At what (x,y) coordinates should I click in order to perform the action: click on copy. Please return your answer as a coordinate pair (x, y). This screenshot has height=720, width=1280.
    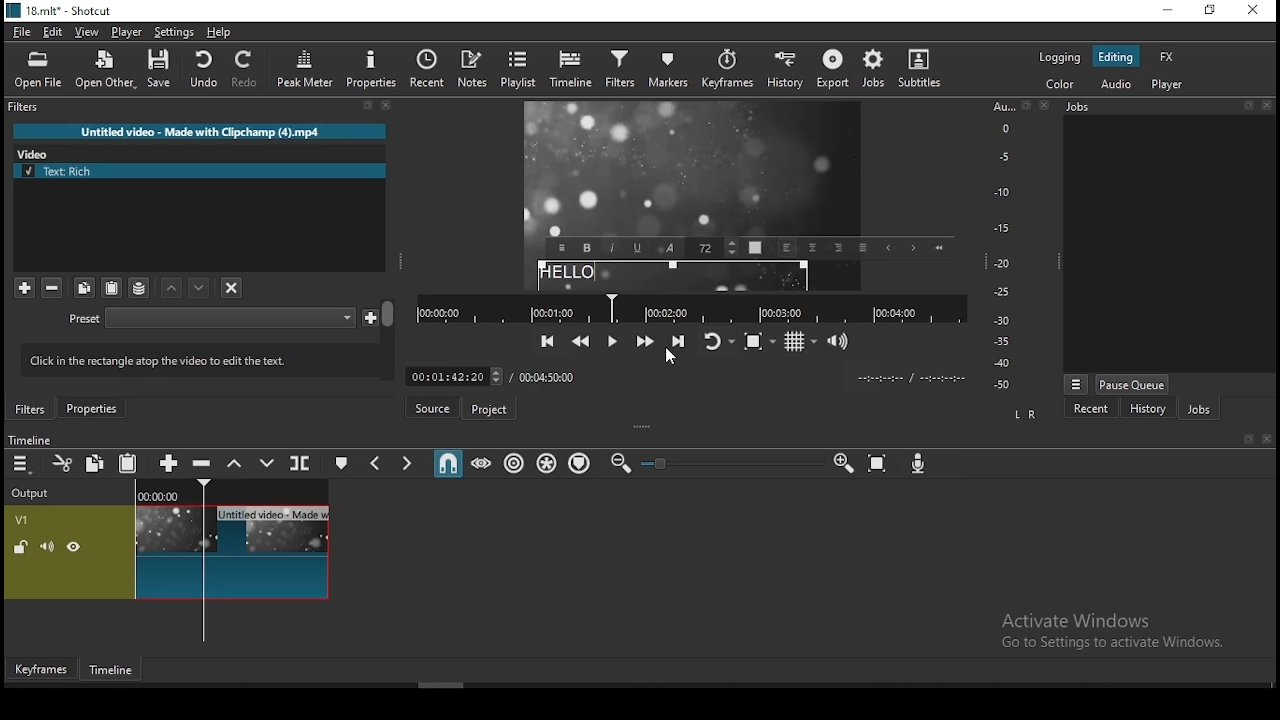
    Looking at the image, I should click on (85, 288).